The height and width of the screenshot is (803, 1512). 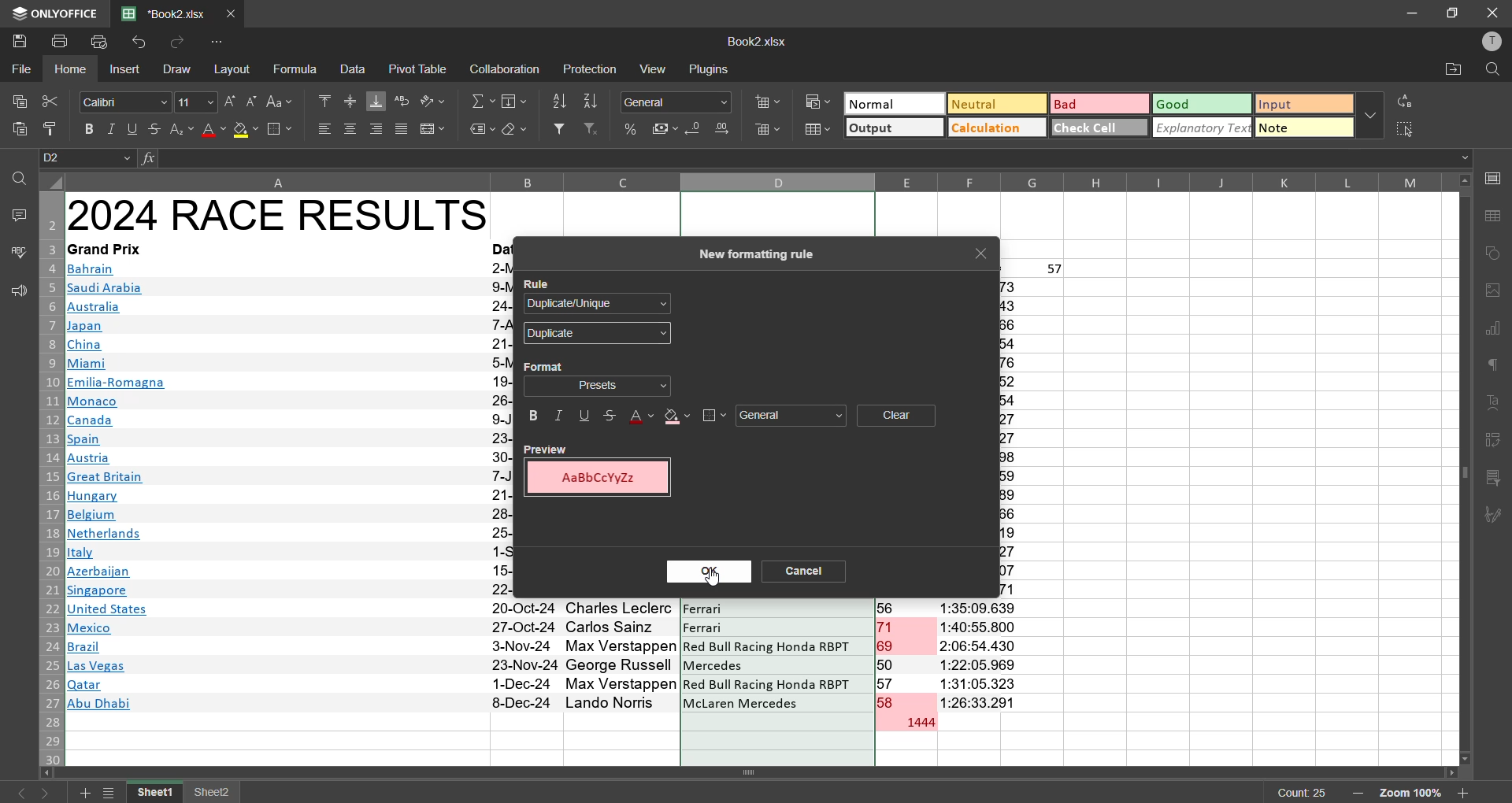 What do you see at coordinates (696, 131) in the screenshot?
I see `decrease decimal` at bounding box center [696, 131].